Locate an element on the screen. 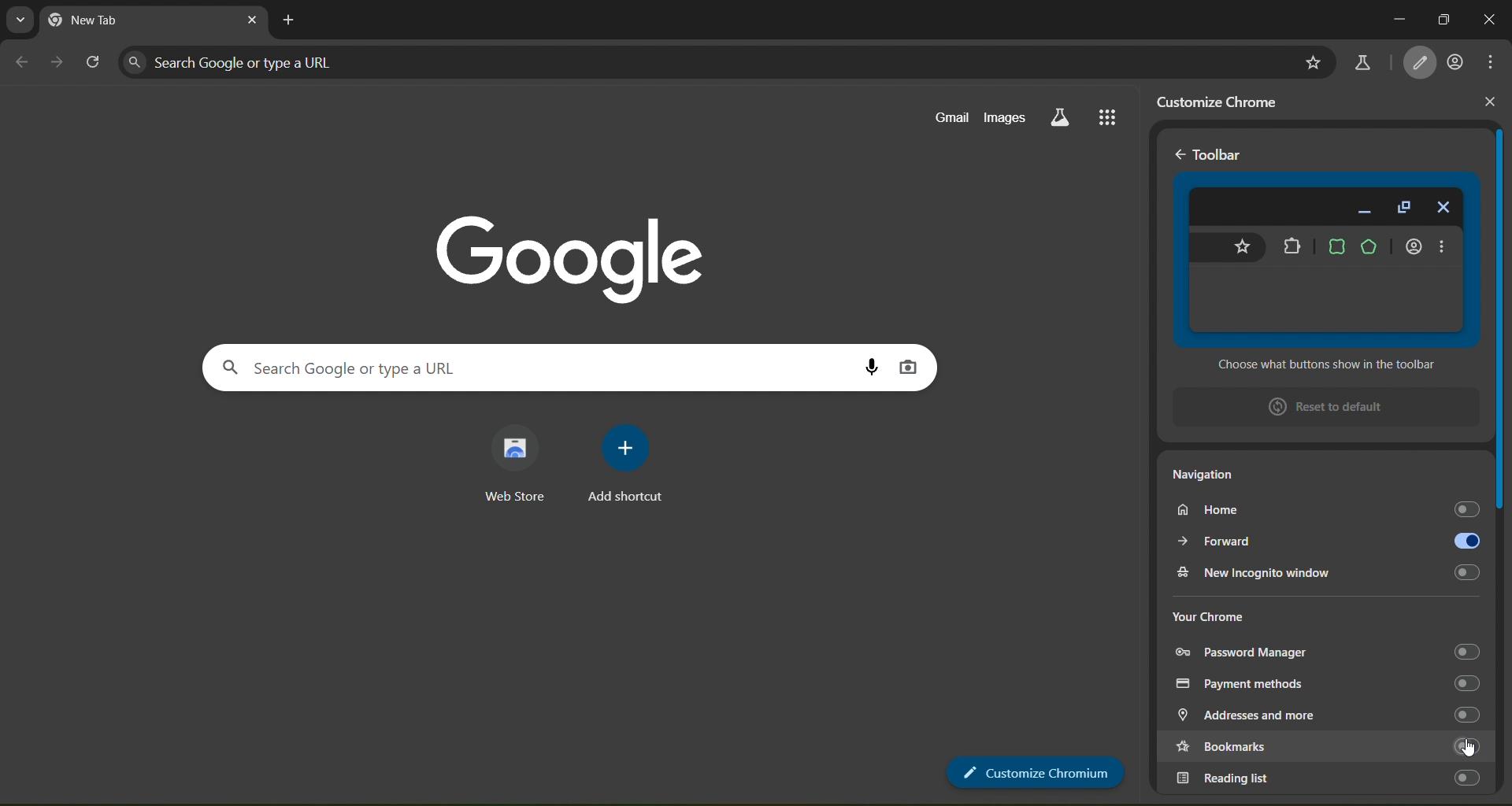 The width and height of the screenshot is (1512, 806). close is located at coordinates (1491, 20).